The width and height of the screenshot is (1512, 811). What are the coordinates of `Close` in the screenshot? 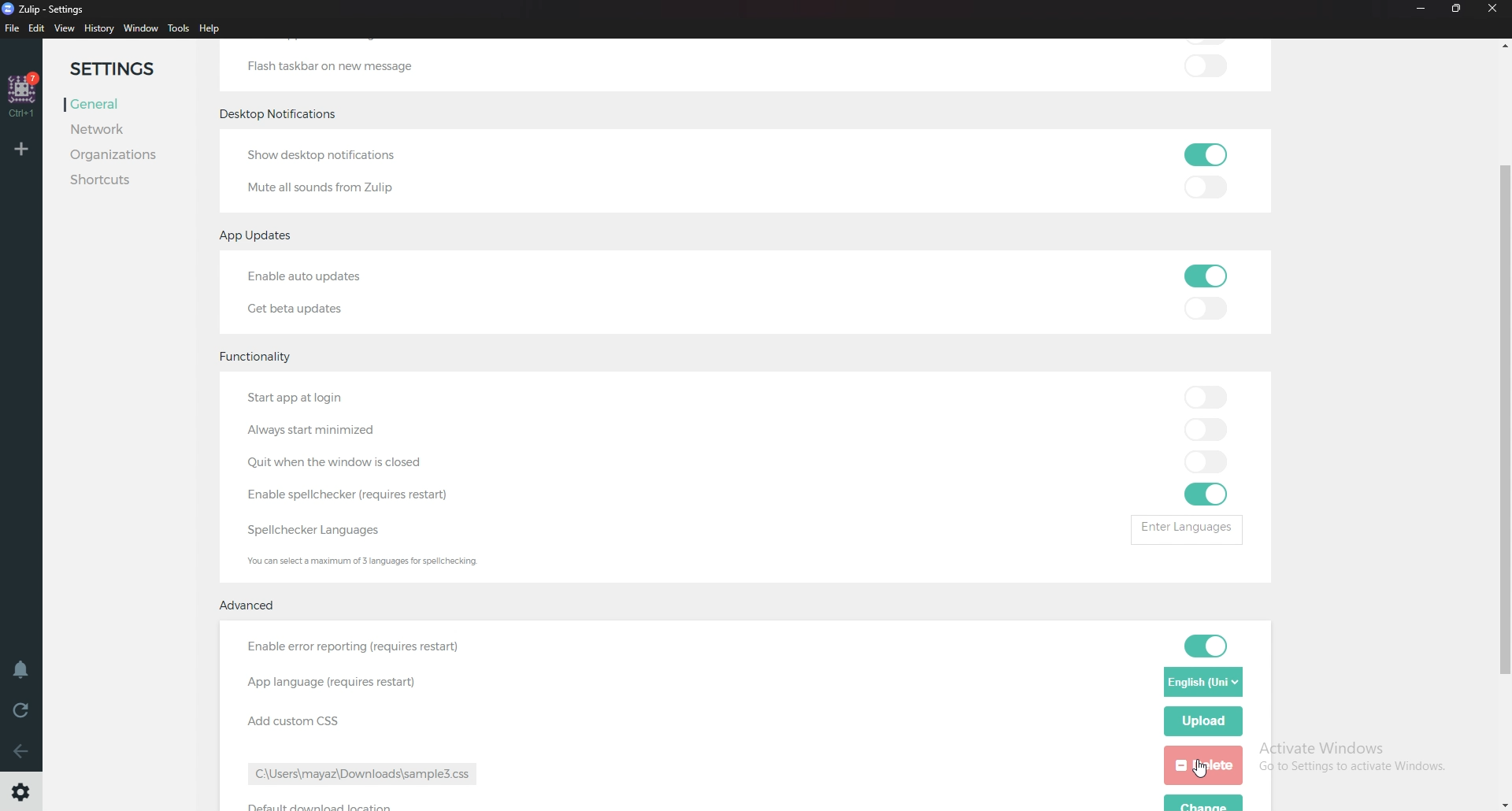 It's located at (1493, 8).